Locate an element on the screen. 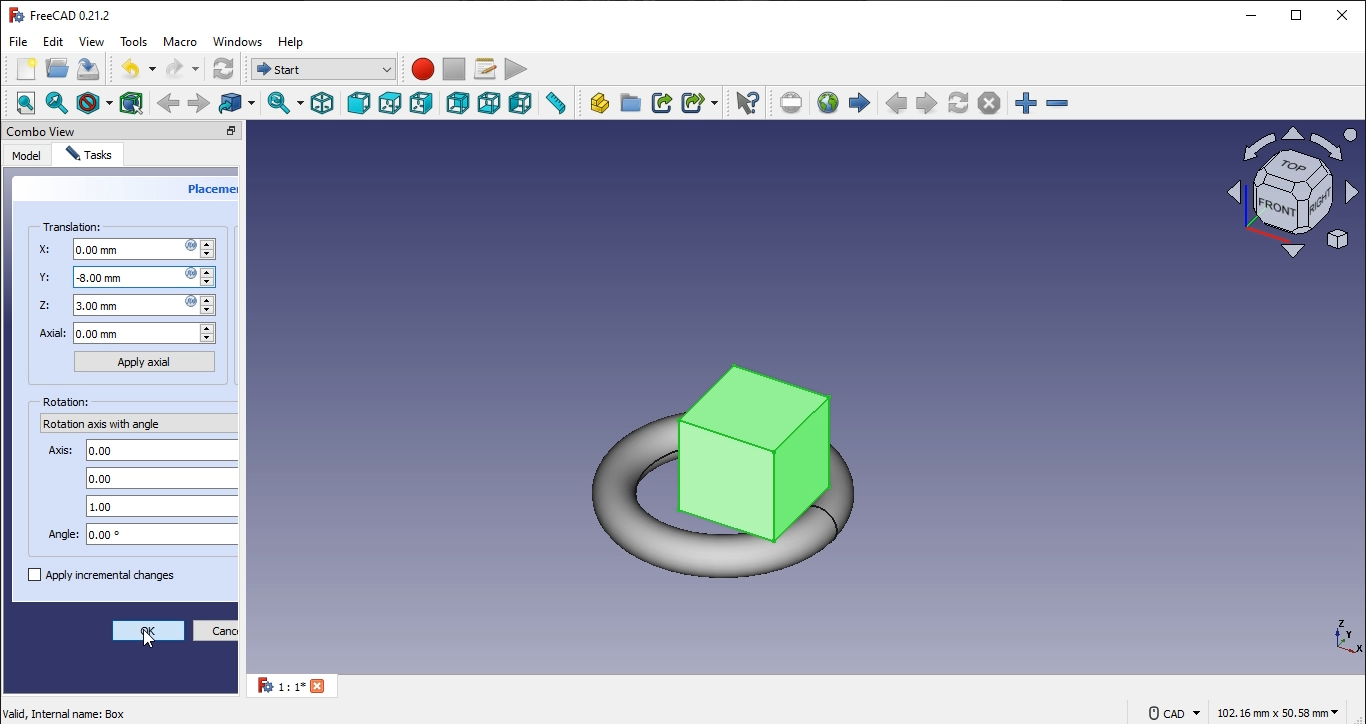  rotation axis with angle is located at coordinates (108, 426).